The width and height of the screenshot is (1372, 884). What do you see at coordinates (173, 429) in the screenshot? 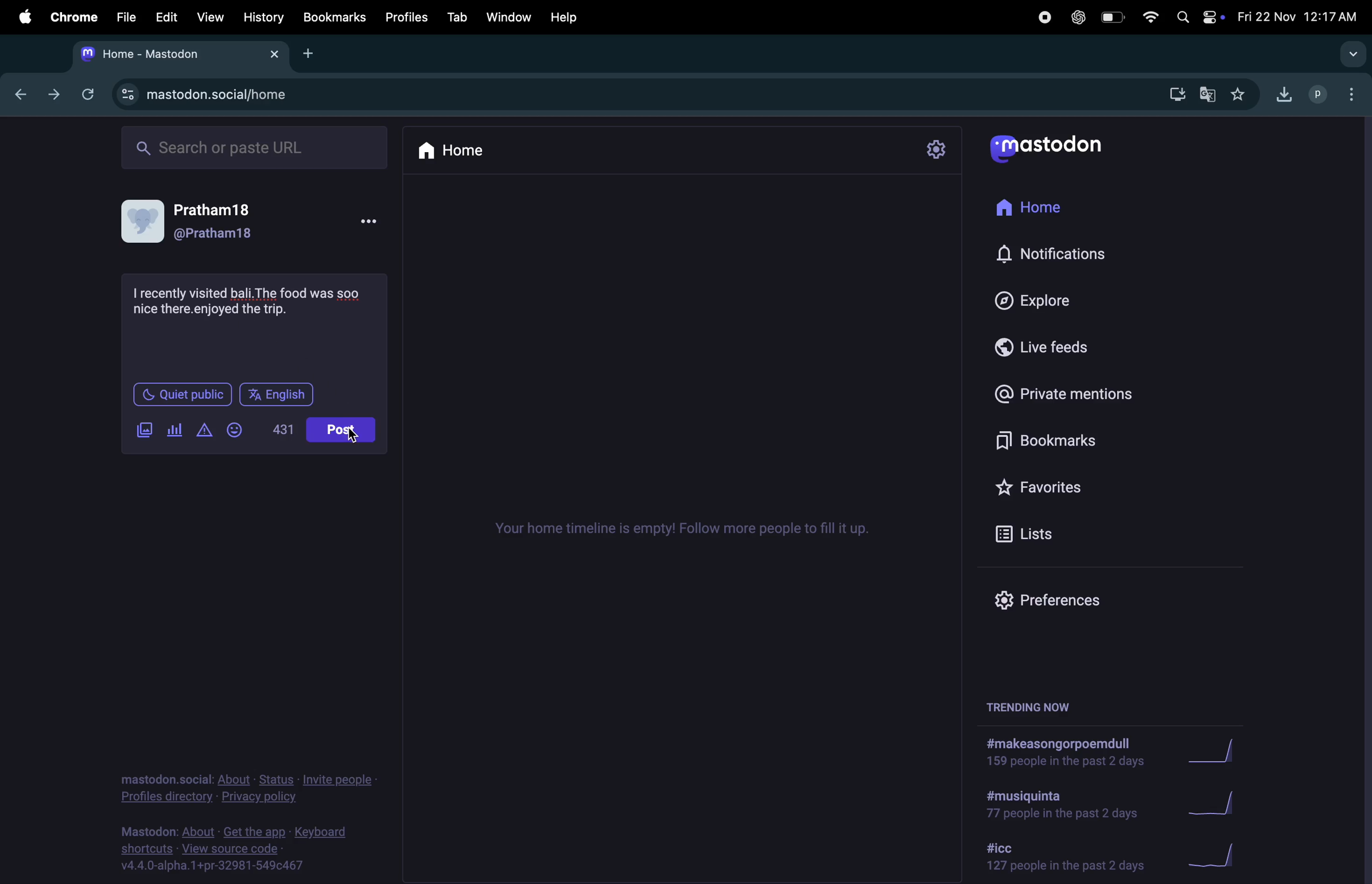
I see `poles` at bounding box center [173, 429].